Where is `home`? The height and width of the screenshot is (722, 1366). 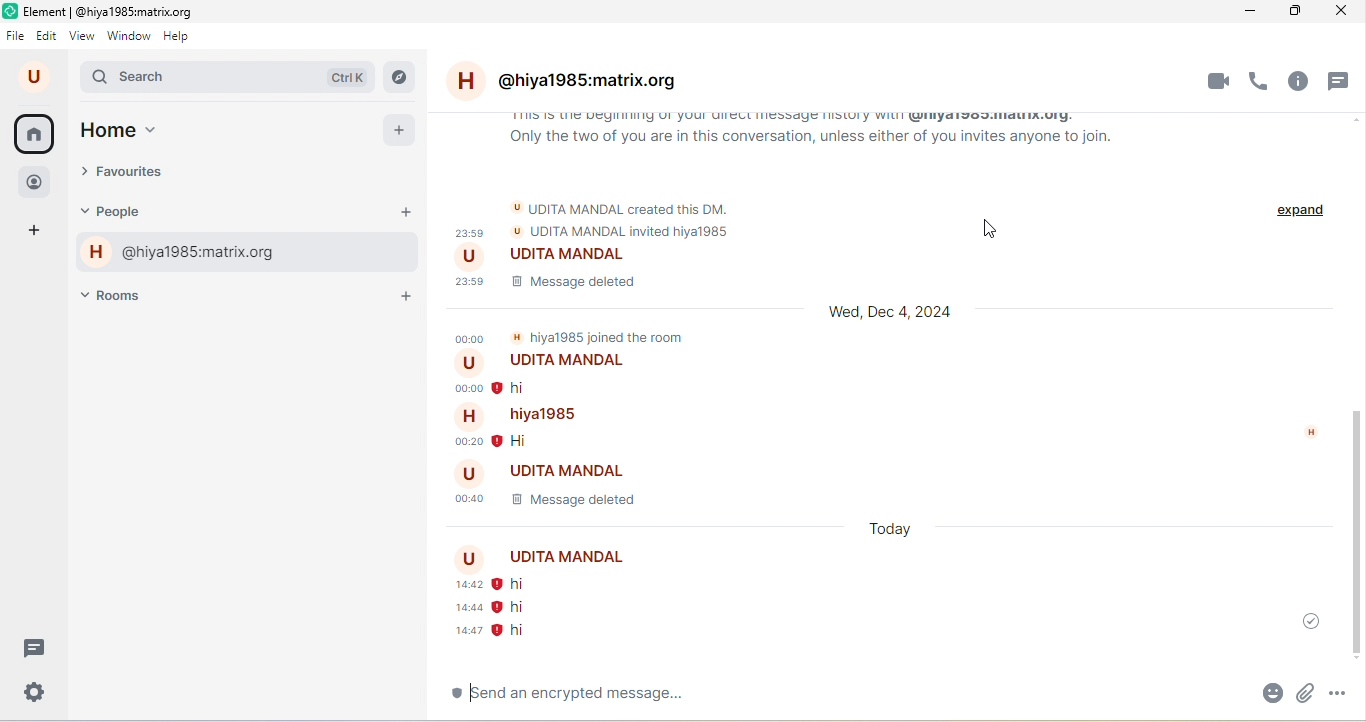 home is located at coordinates (34, 134).